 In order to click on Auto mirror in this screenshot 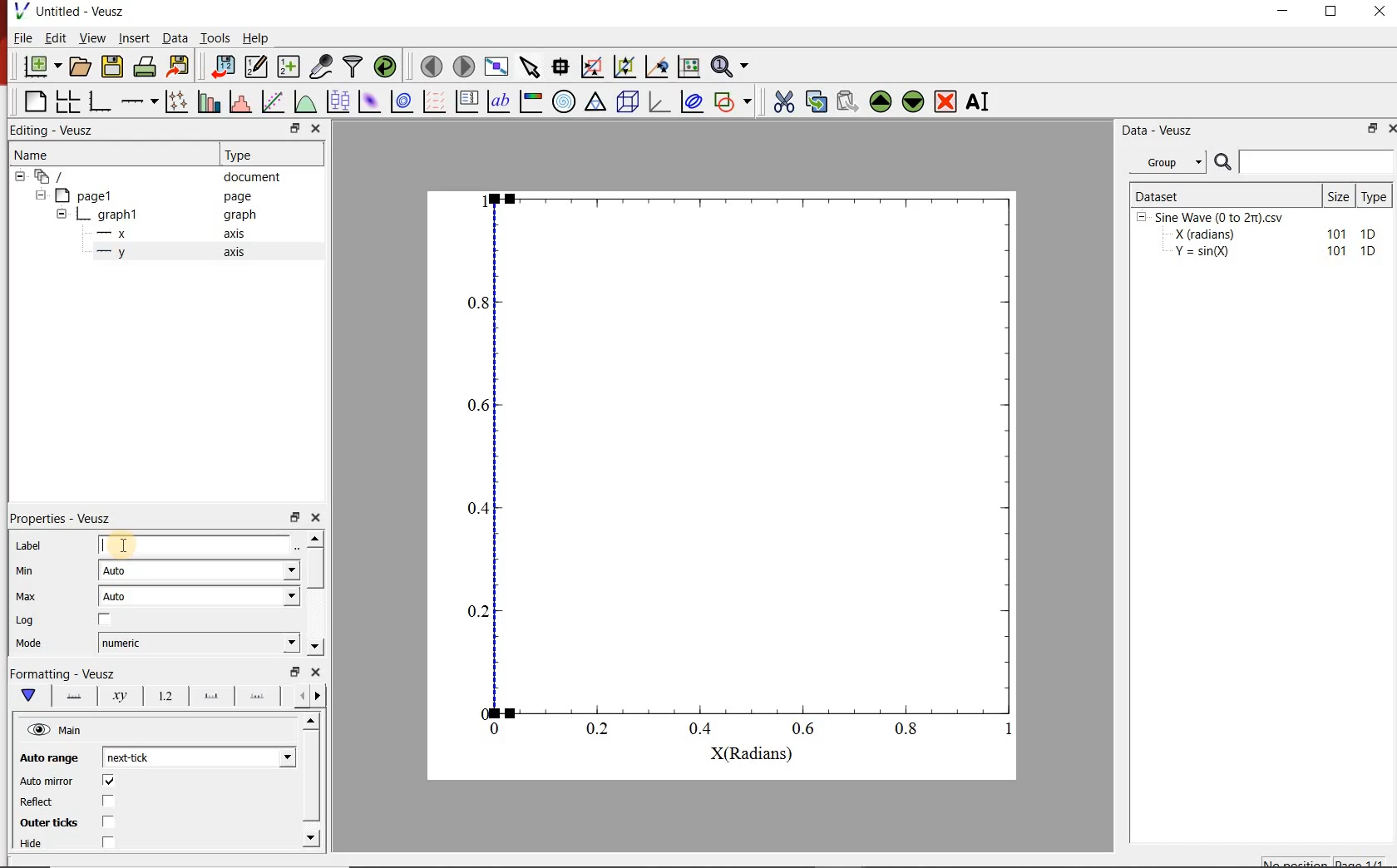, I will do `click(47, 782)`.